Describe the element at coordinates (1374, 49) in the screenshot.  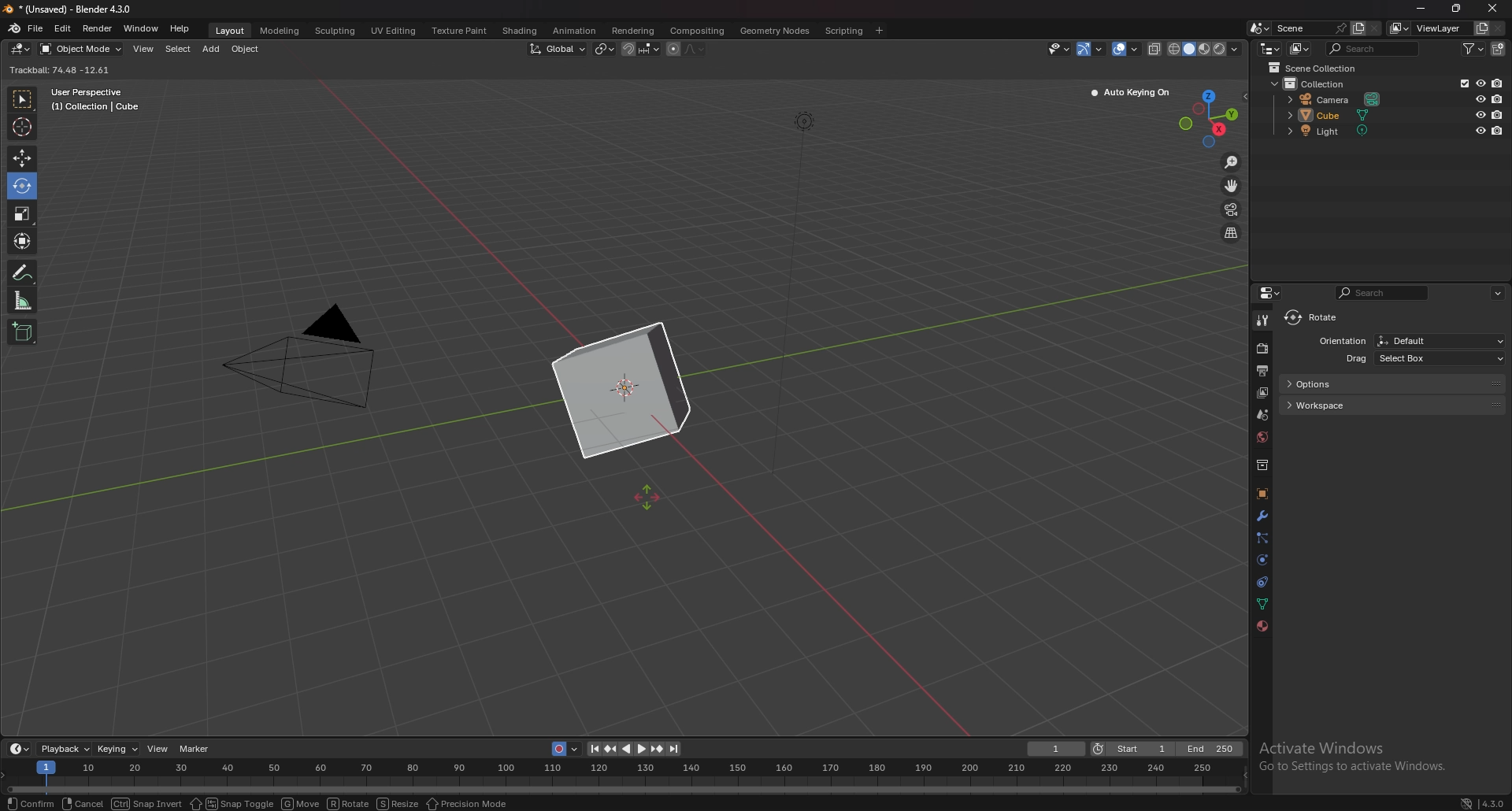
I see `search` at that location.